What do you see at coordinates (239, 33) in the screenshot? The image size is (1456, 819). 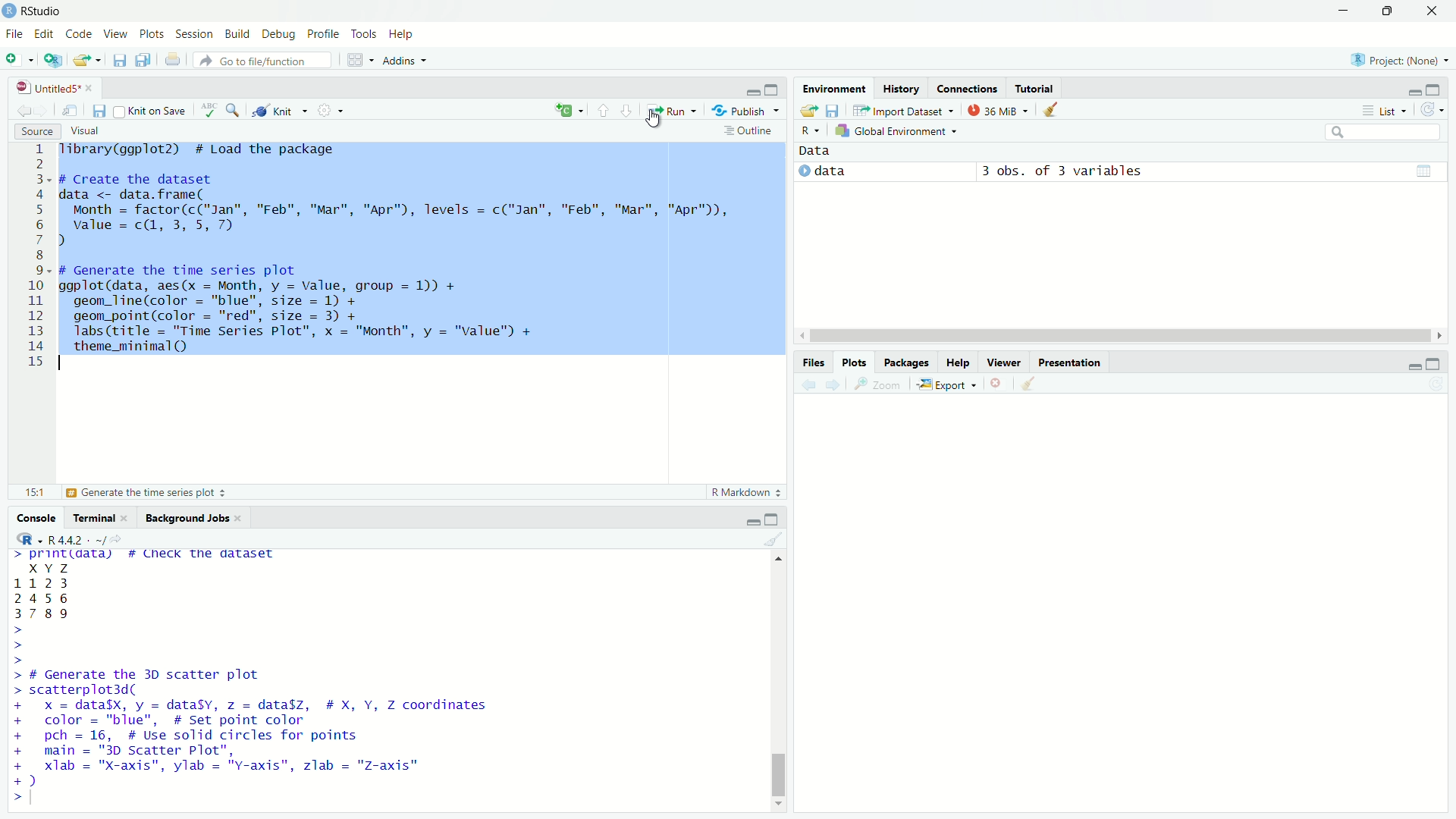 I see `build` at bounding box center [239, 33].